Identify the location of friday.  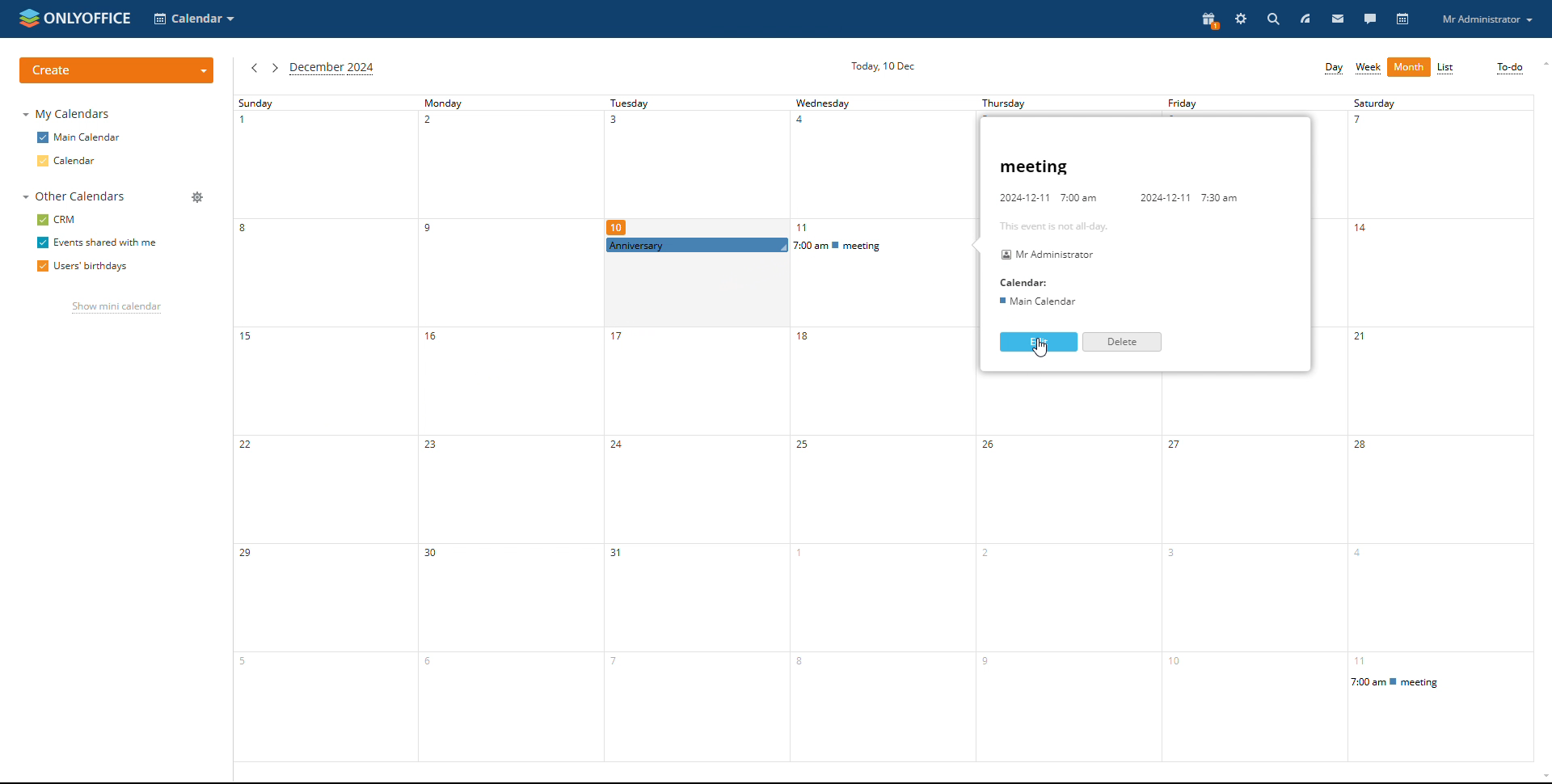
(1214, 103).